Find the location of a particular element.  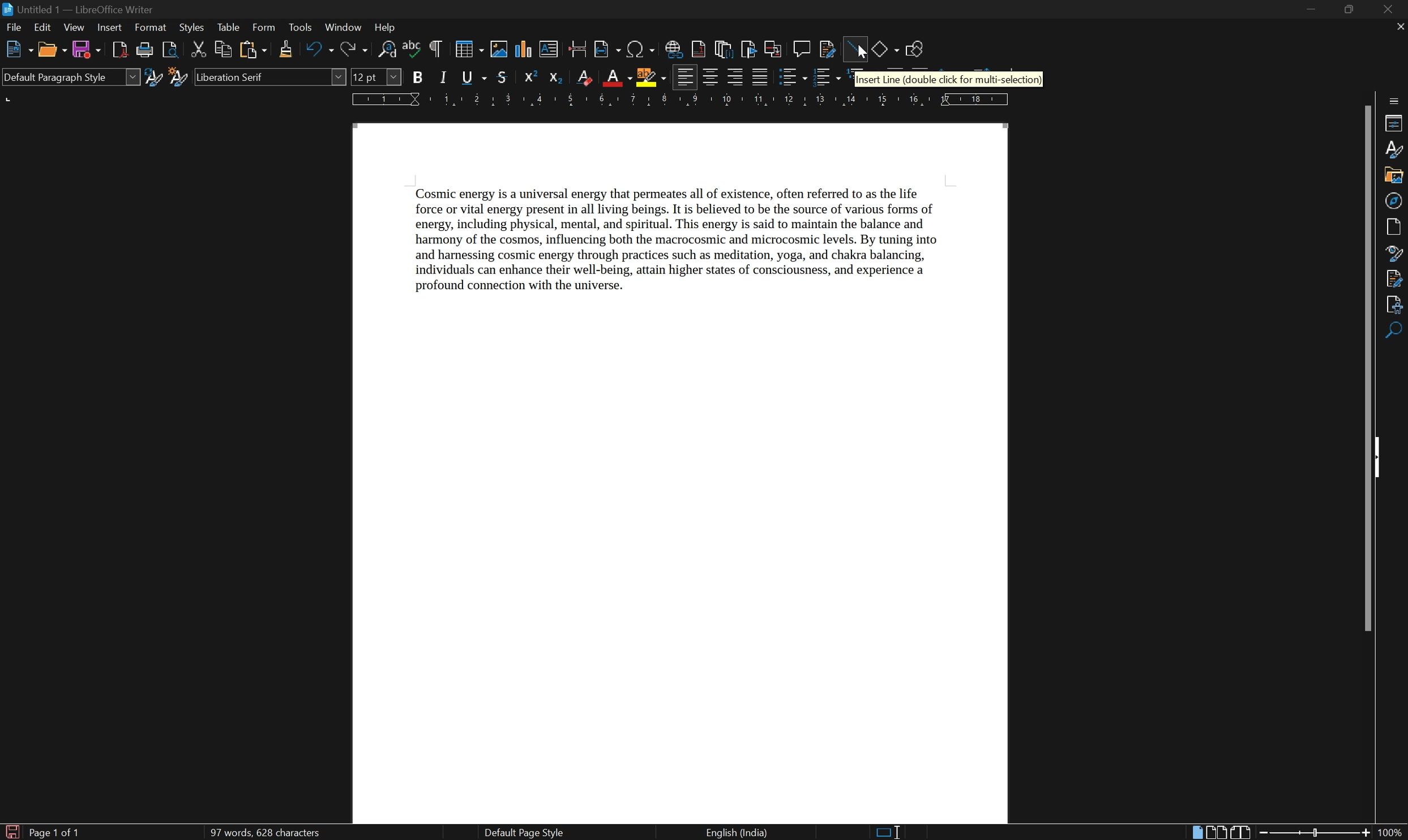

scroll bar is located at coordinates (1370, 366).